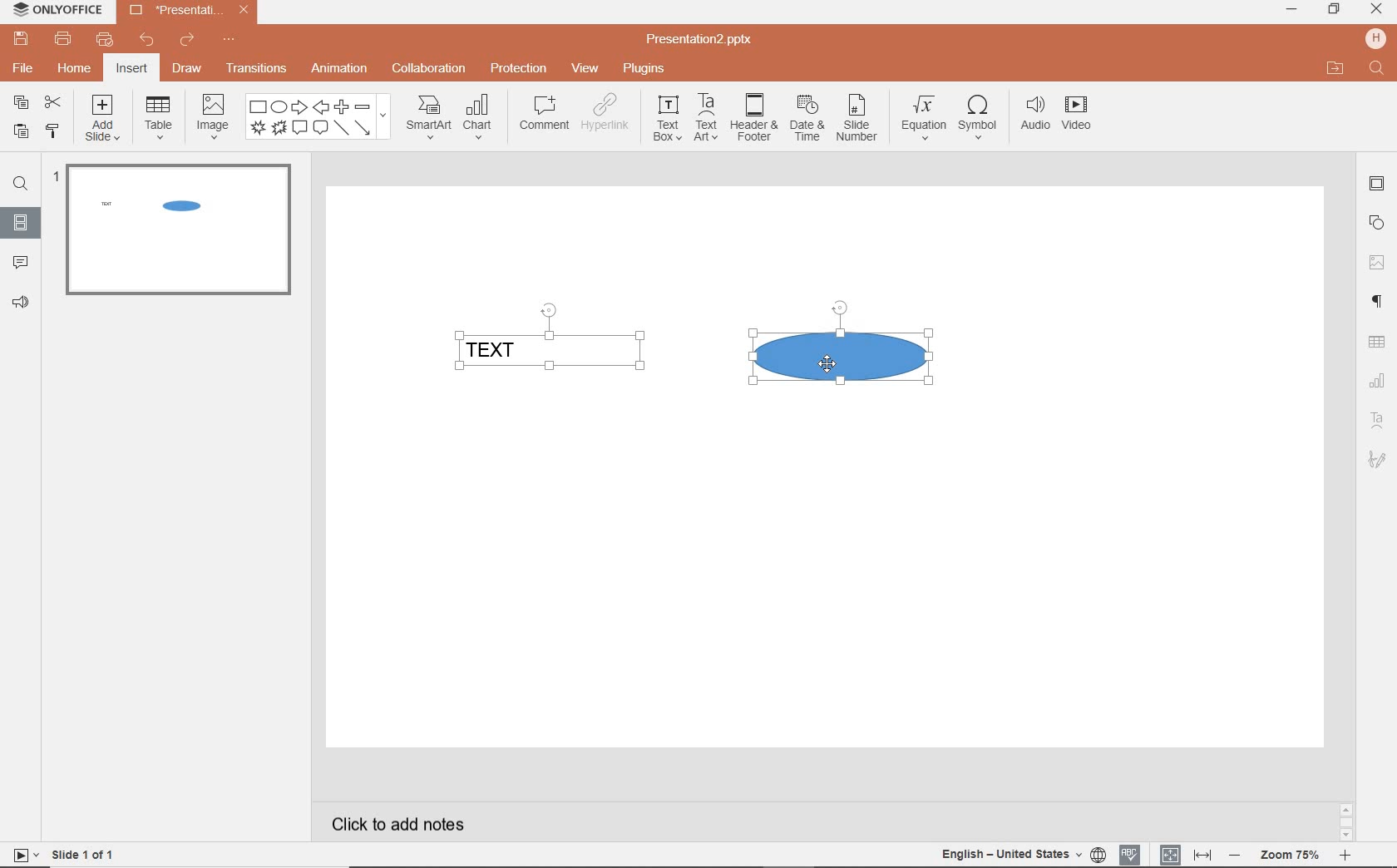  What do you see at coordinates (64, 39) in the screenshot?
I see `print` at bounding box center [64, 39].